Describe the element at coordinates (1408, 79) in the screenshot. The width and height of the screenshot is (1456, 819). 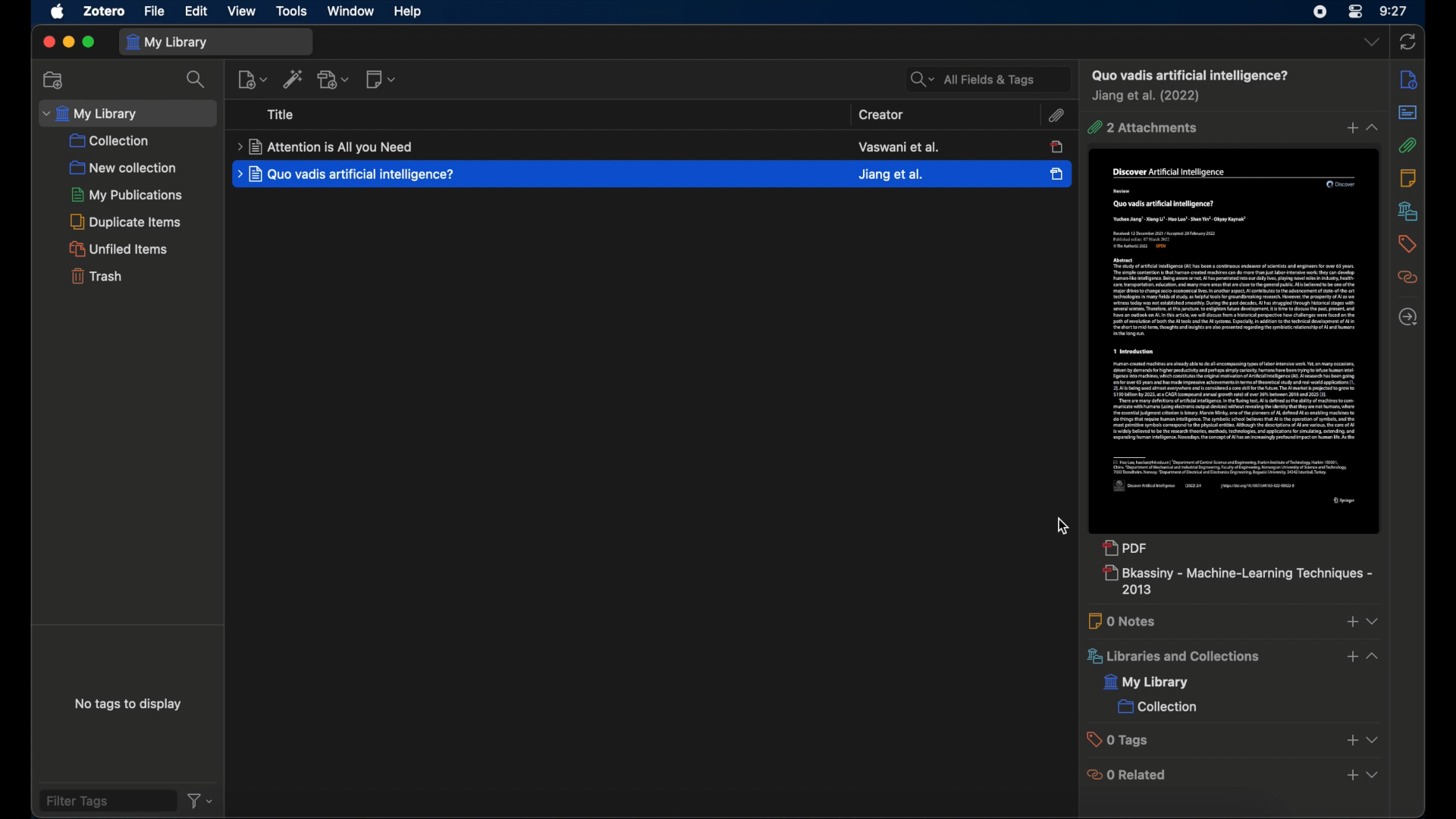
I see `info` at that location.